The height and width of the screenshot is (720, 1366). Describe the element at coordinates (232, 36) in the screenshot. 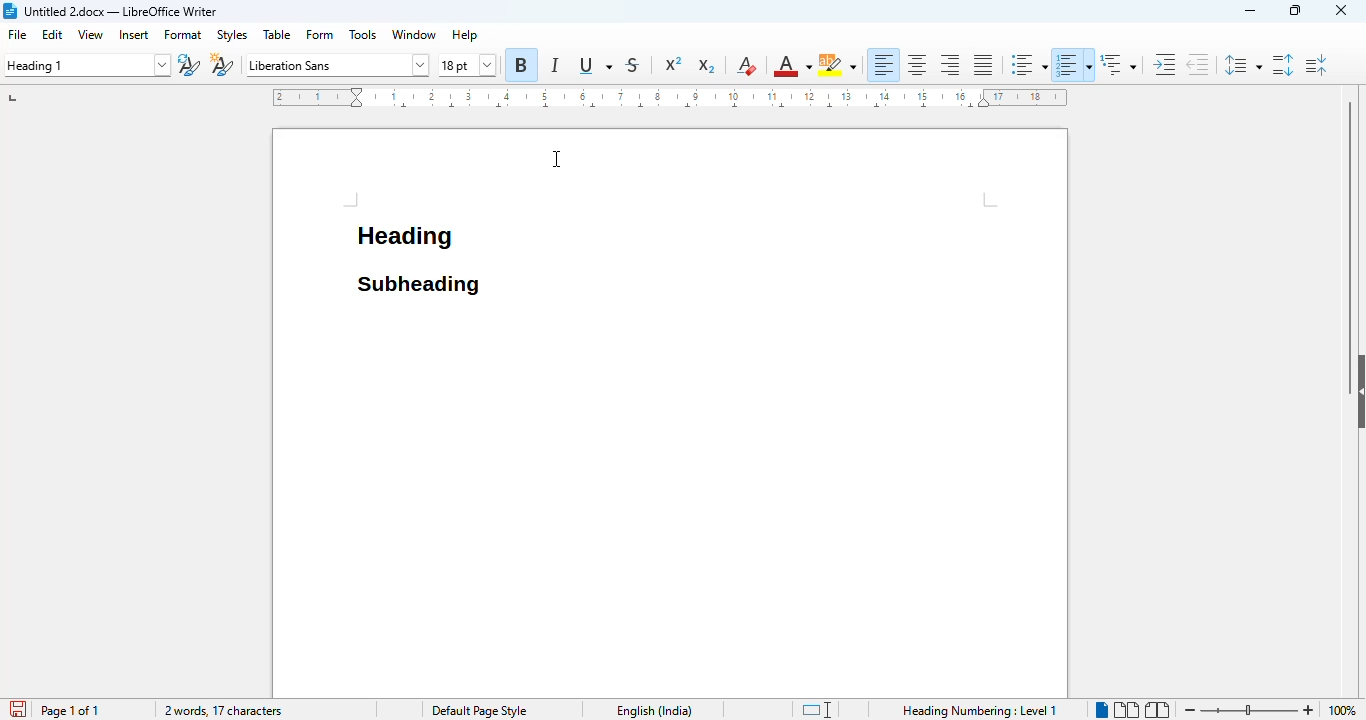

I see `styles` at that location.